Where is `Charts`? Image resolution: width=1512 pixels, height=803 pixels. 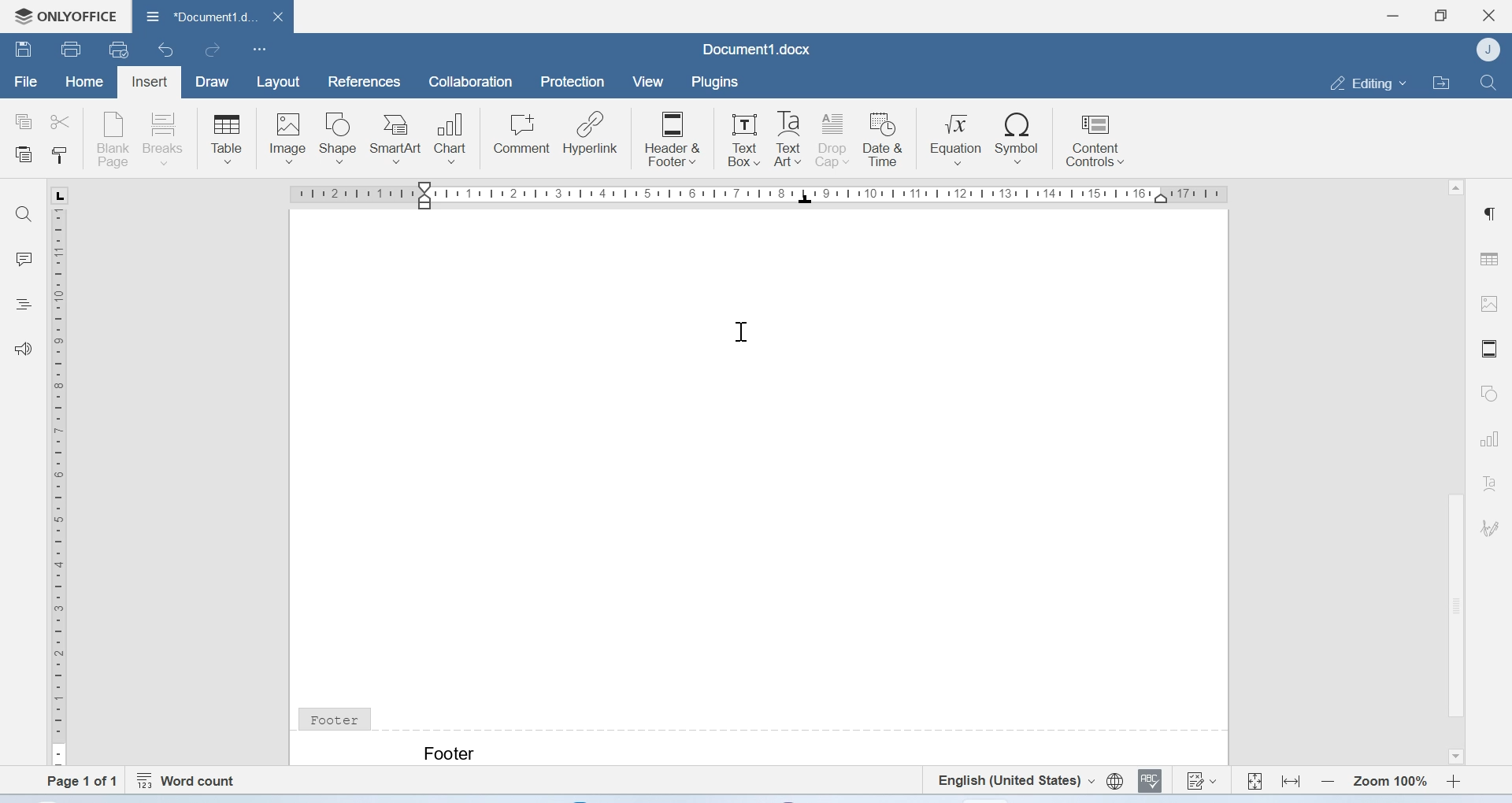
Charts is located at coordinates (1488, 440).